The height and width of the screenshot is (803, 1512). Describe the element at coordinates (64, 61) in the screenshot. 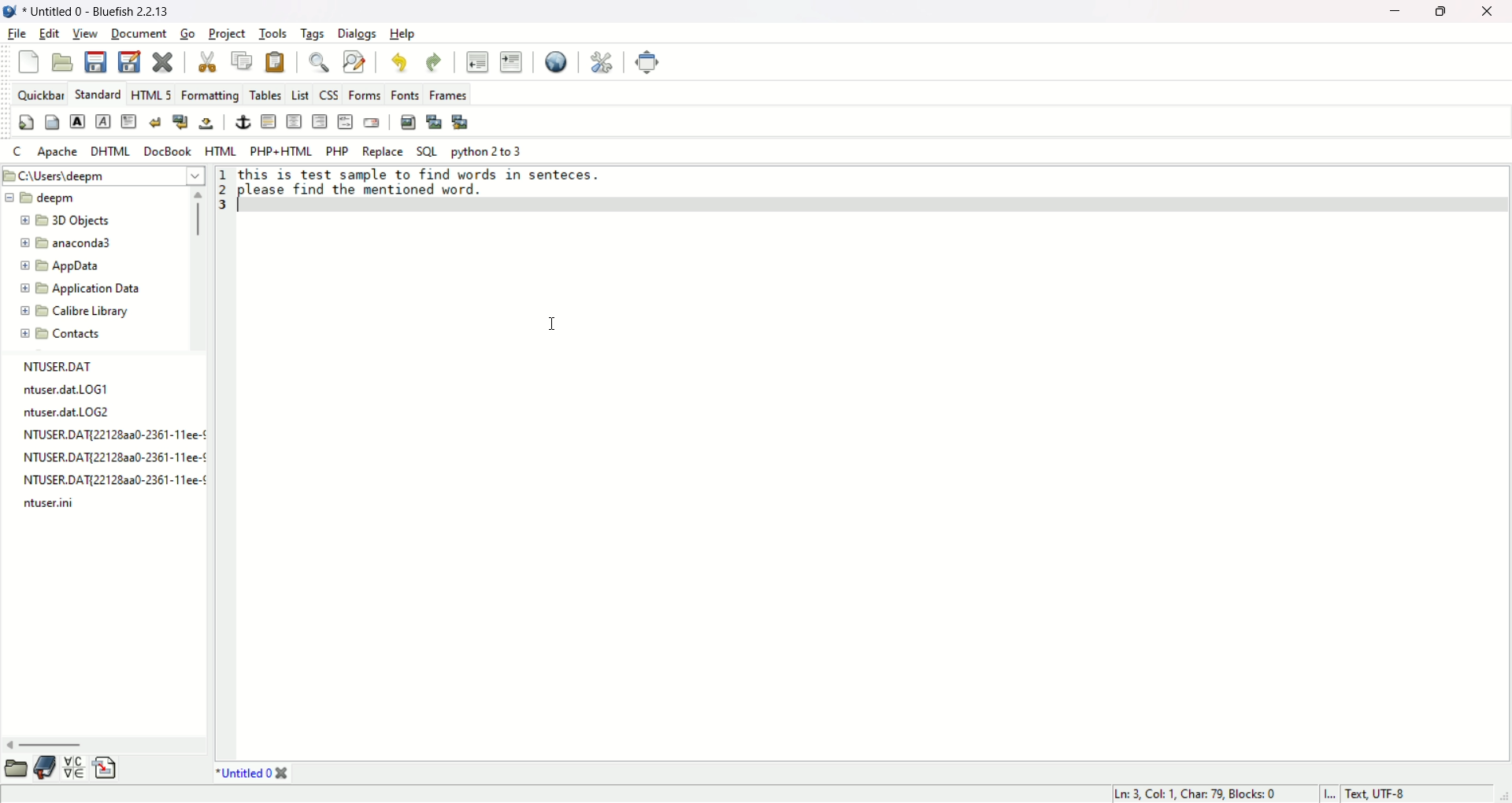

I see `open` at that location.